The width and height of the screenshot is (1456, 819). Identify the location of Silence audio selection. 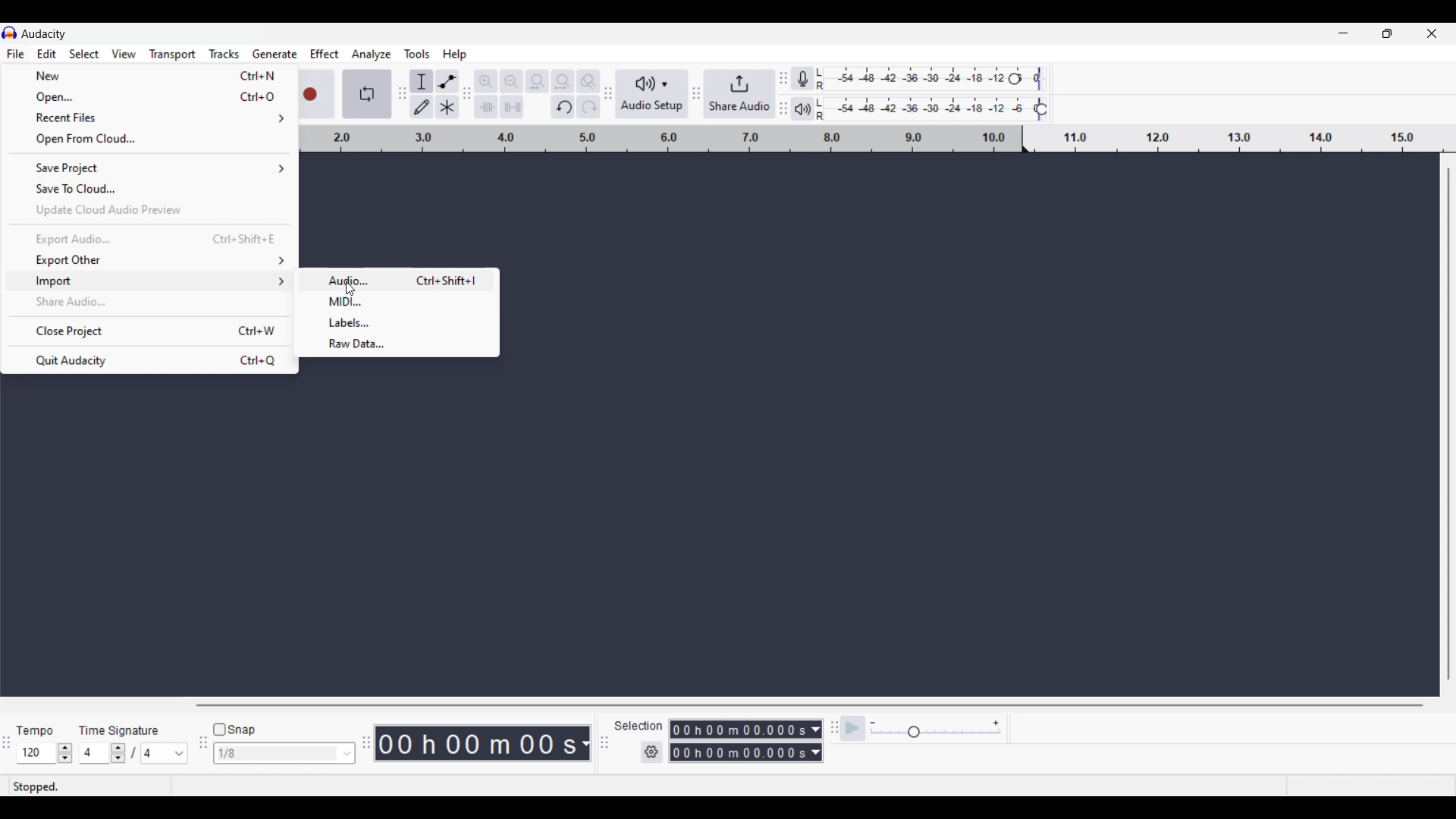
(513, 107).